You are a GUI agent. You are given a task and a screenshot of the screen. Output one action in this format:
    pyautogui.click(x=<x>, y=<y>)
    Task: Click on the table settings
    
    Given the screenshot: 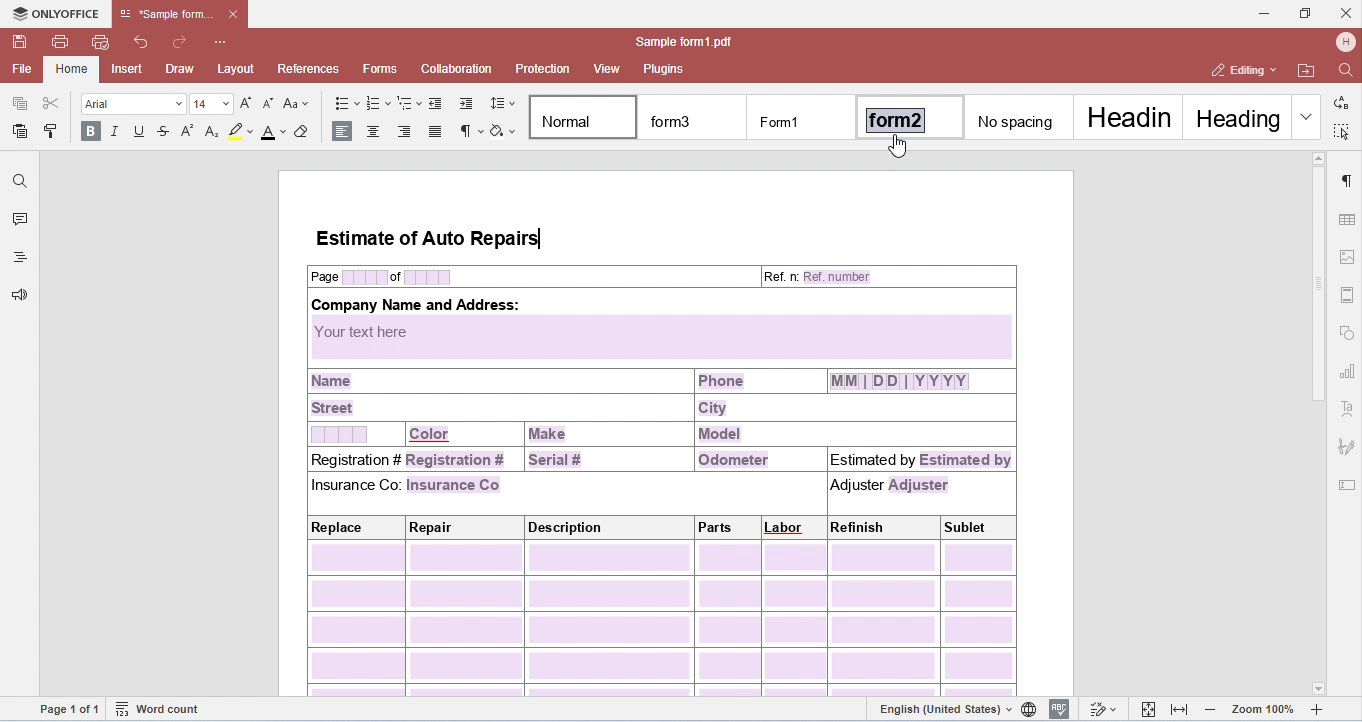 What is the action you would take?
    pyautogui.click(x=1347, y=219)
    